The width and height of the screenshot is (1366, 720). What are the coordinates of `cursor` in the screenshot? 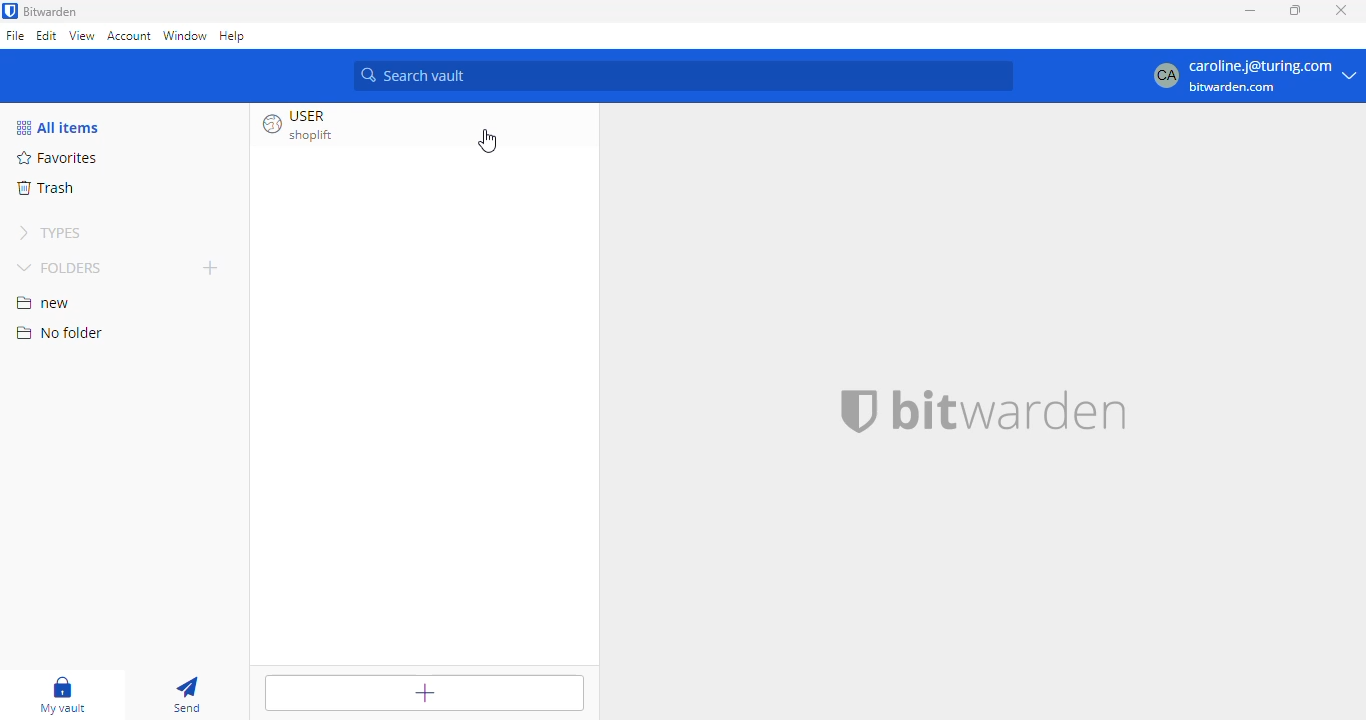 It's located at (488, 141).